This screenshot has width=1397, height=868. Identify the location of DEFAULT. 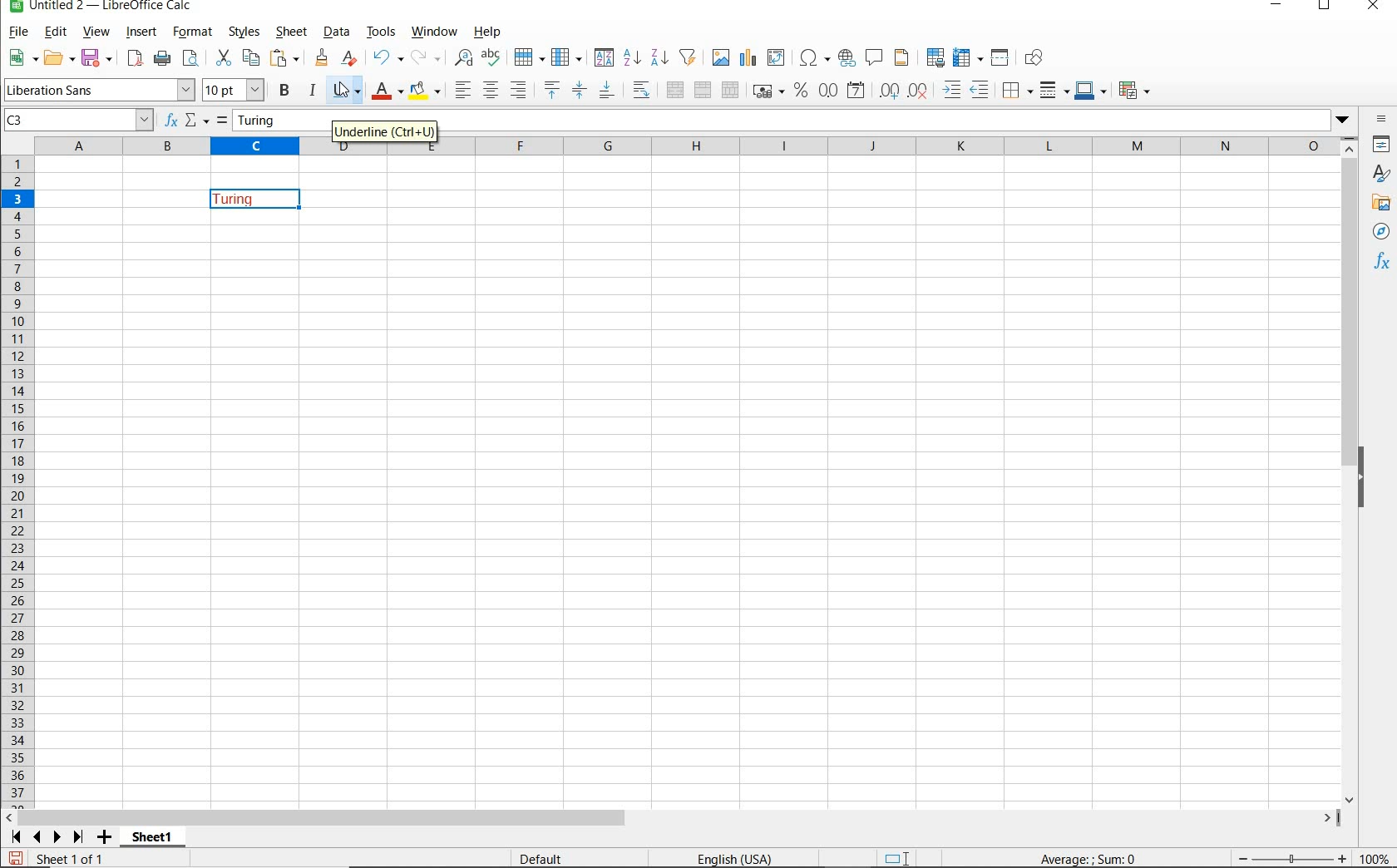
(545, 857).